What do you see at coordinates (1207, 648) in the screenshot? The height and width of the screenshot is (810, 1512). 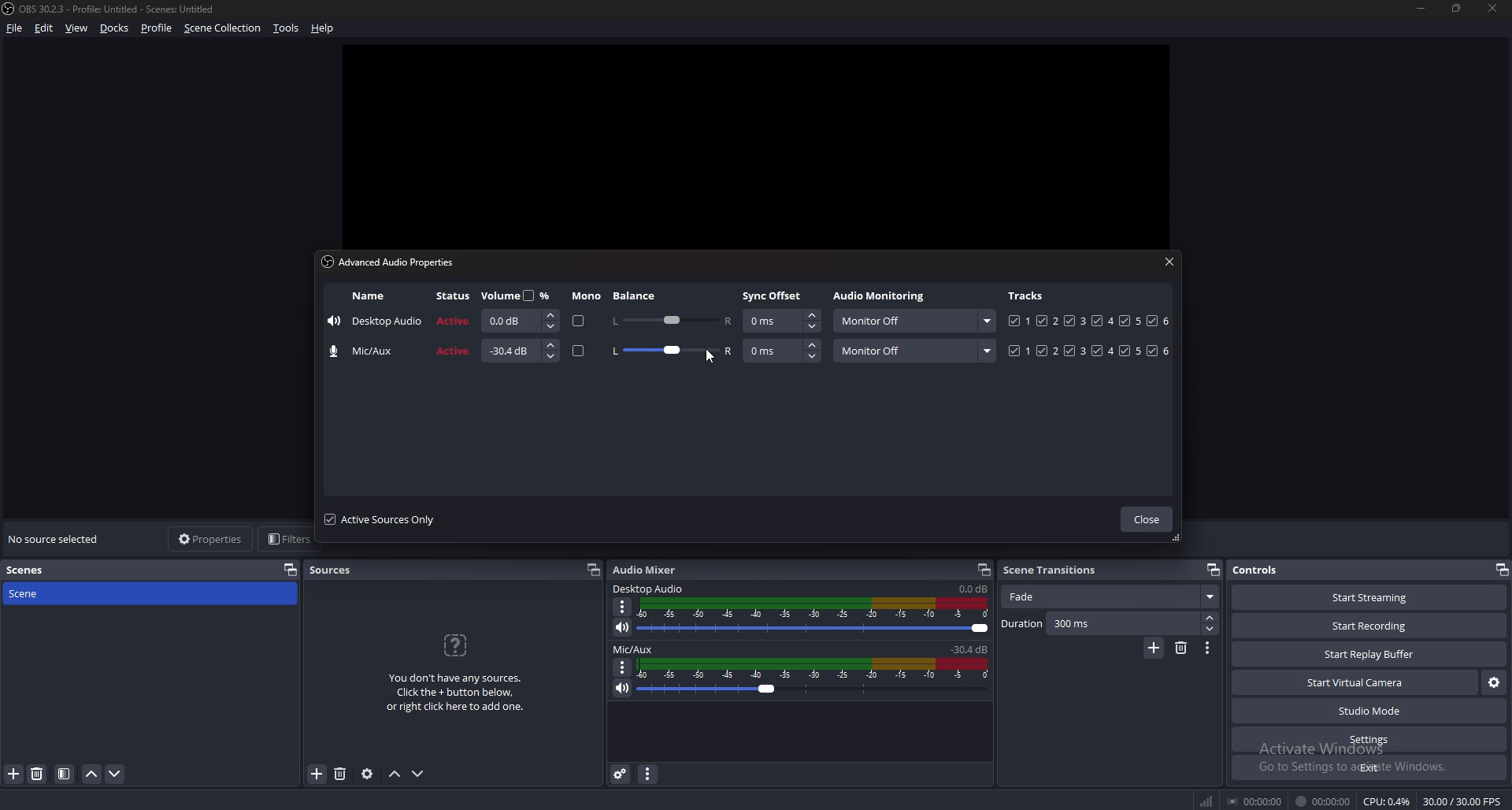 I see `transition properties` at bounding box center [1207, 648].